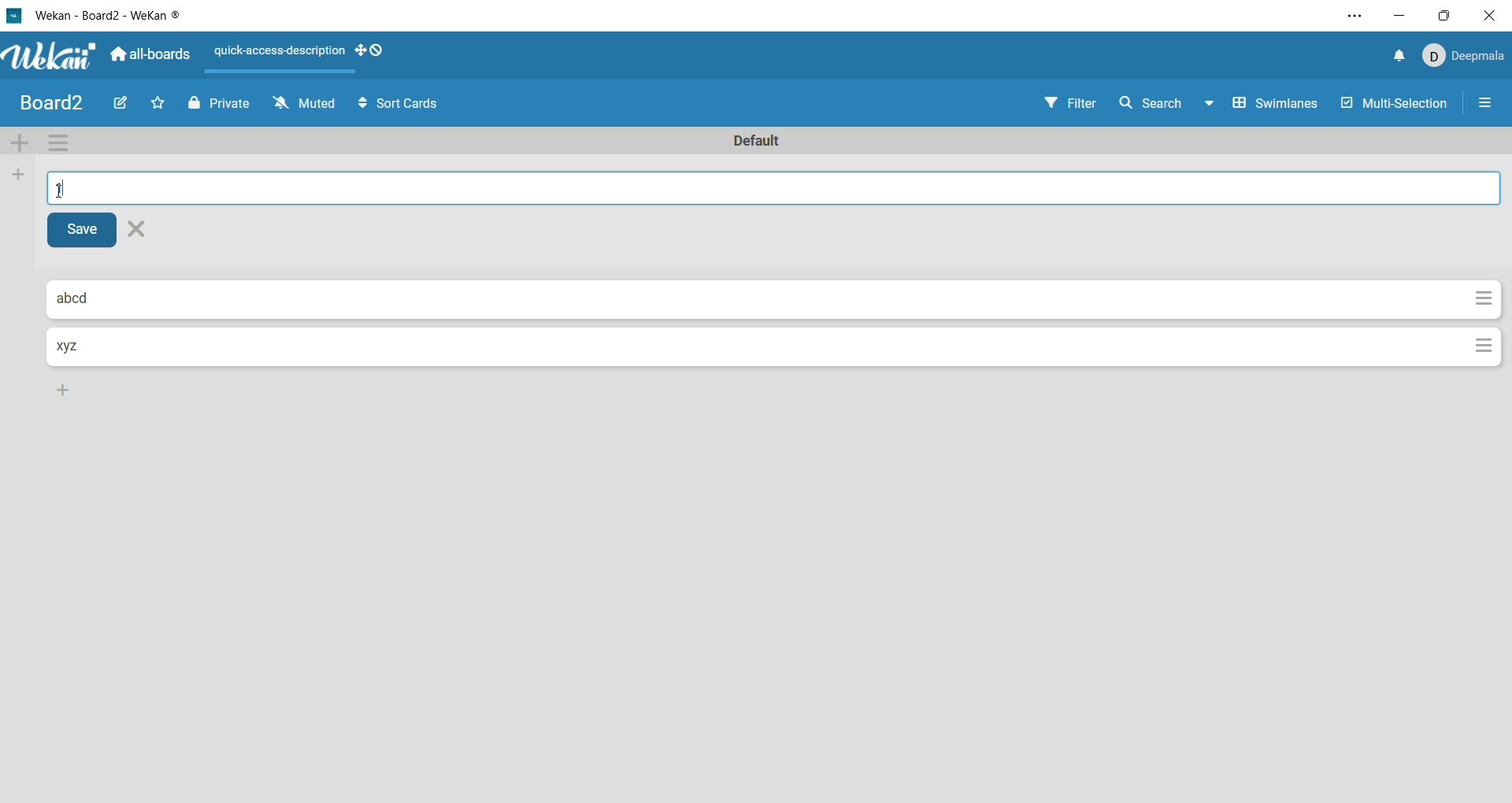 The height and width of the screenshot is (803, 1512). What do you see at coordinates (1492, 16) in the screenshot?
I see `close` at bounding box center [1492, 16].